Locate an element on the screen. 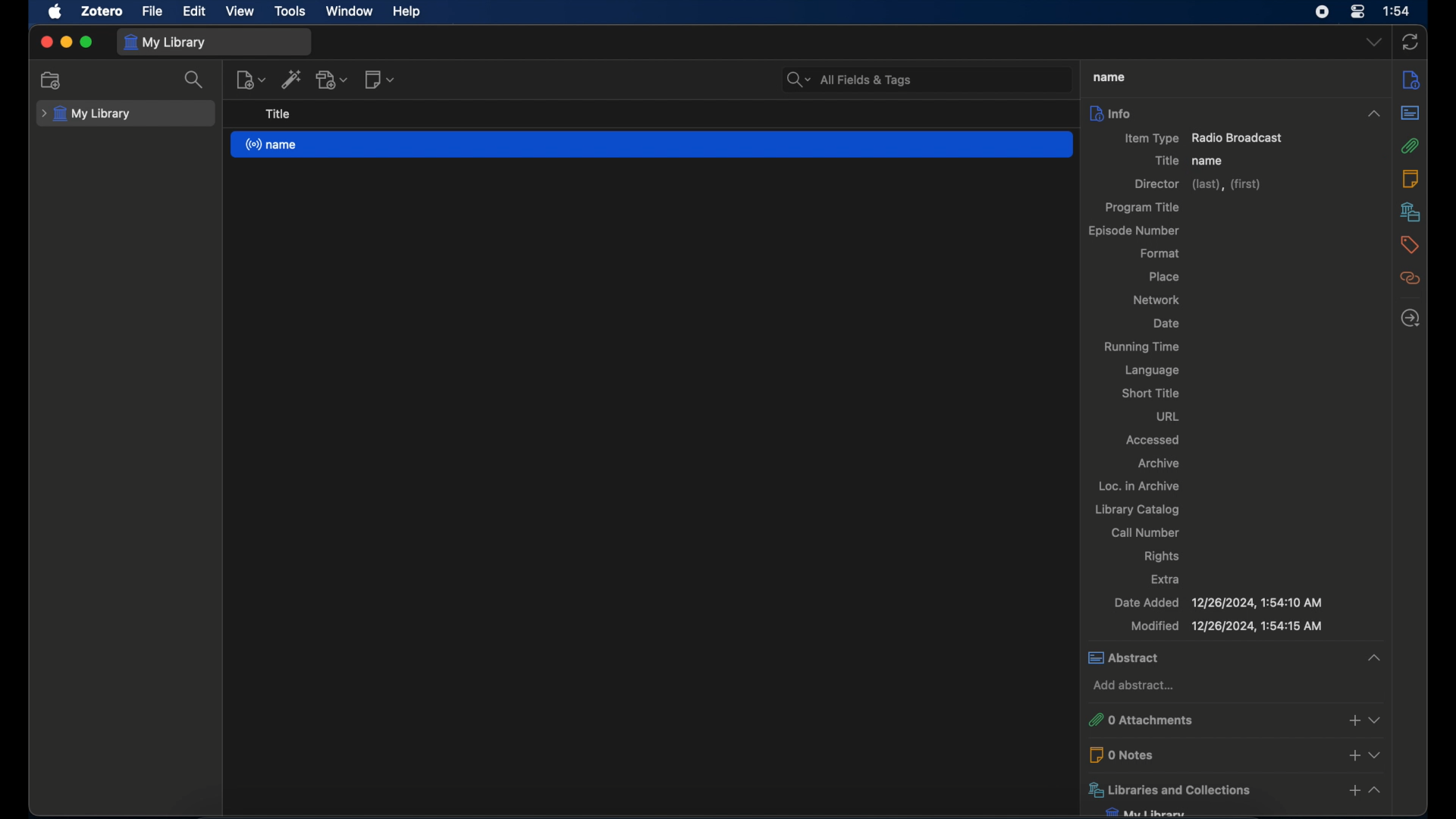 This screenshot has width=1456, height=819. rights is located at coordinates (1163, 557).